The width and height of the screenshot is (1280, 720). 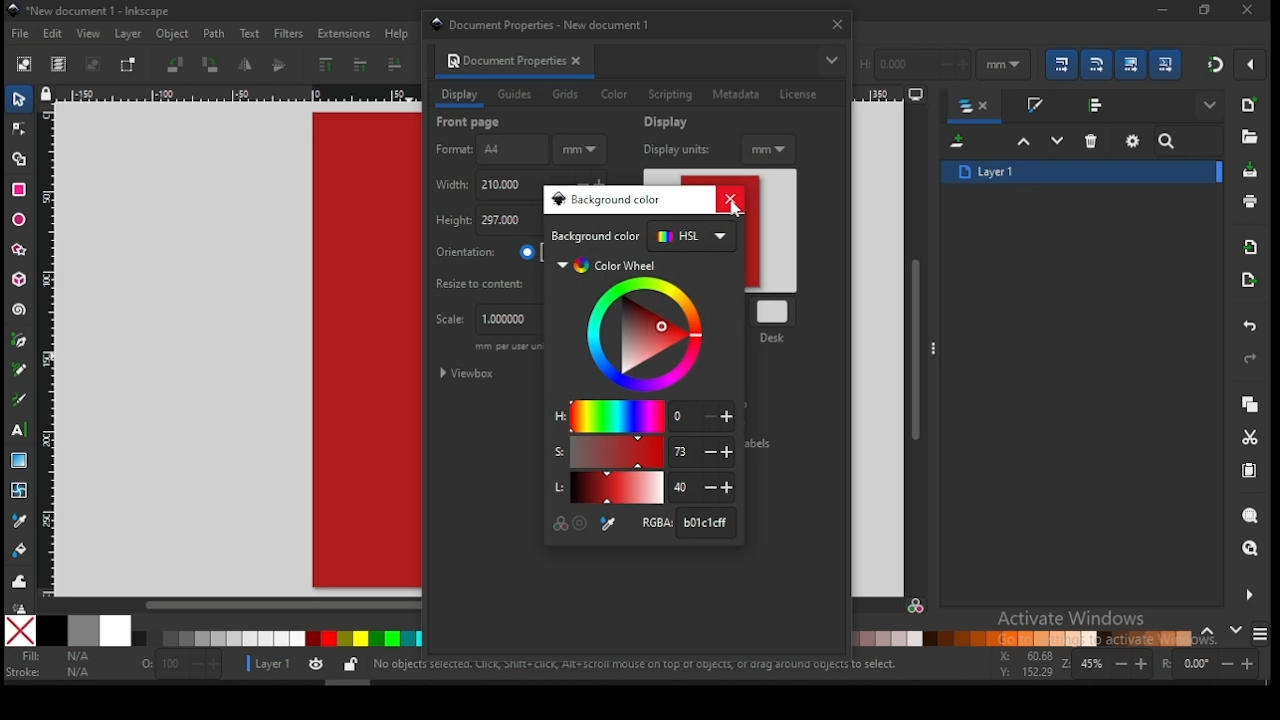 I want to click on license, so click(x=797, y=95).